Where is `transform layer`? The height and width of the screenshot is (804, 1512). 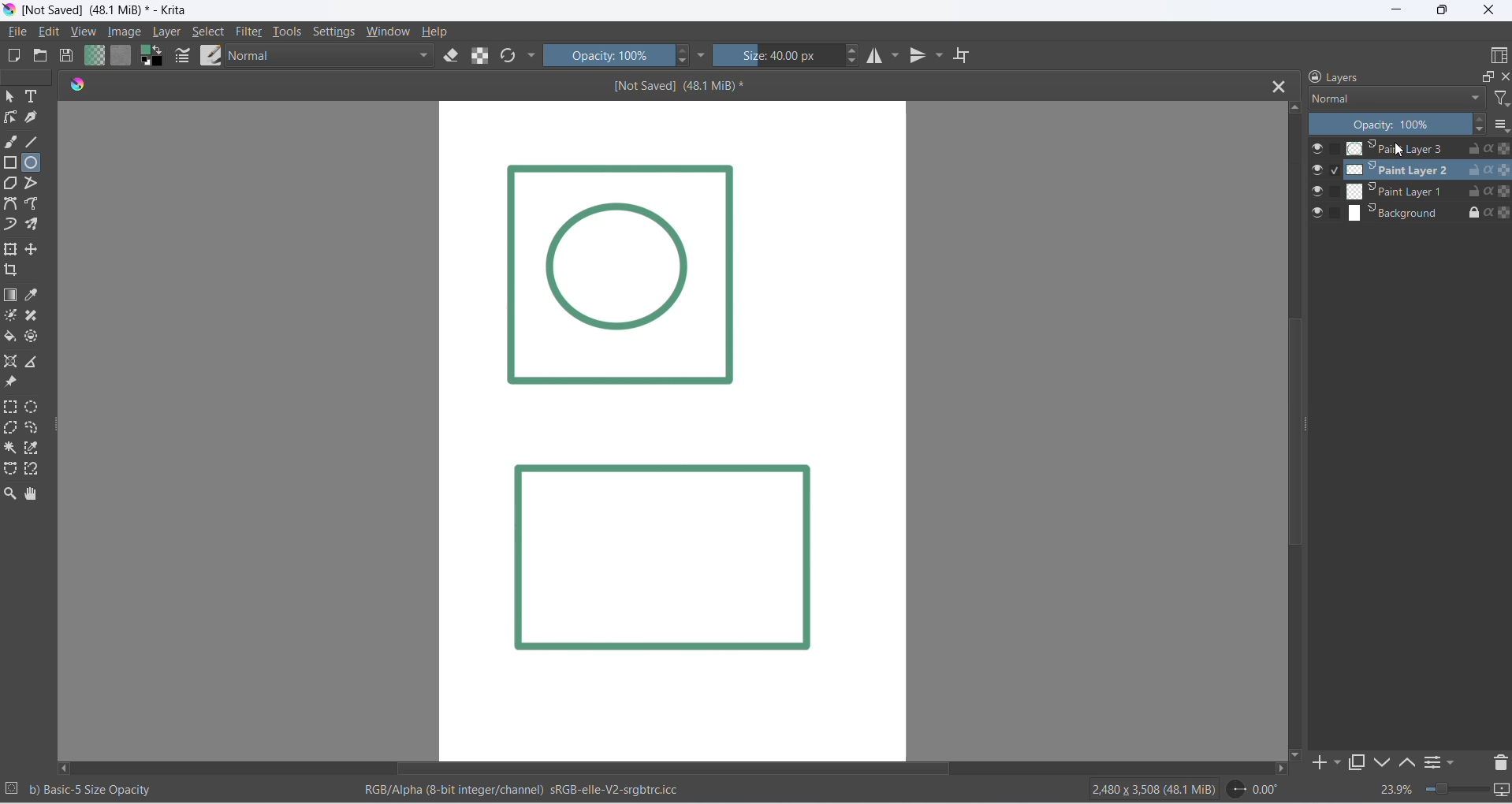
transform layer is located at coordinates (10, 248).